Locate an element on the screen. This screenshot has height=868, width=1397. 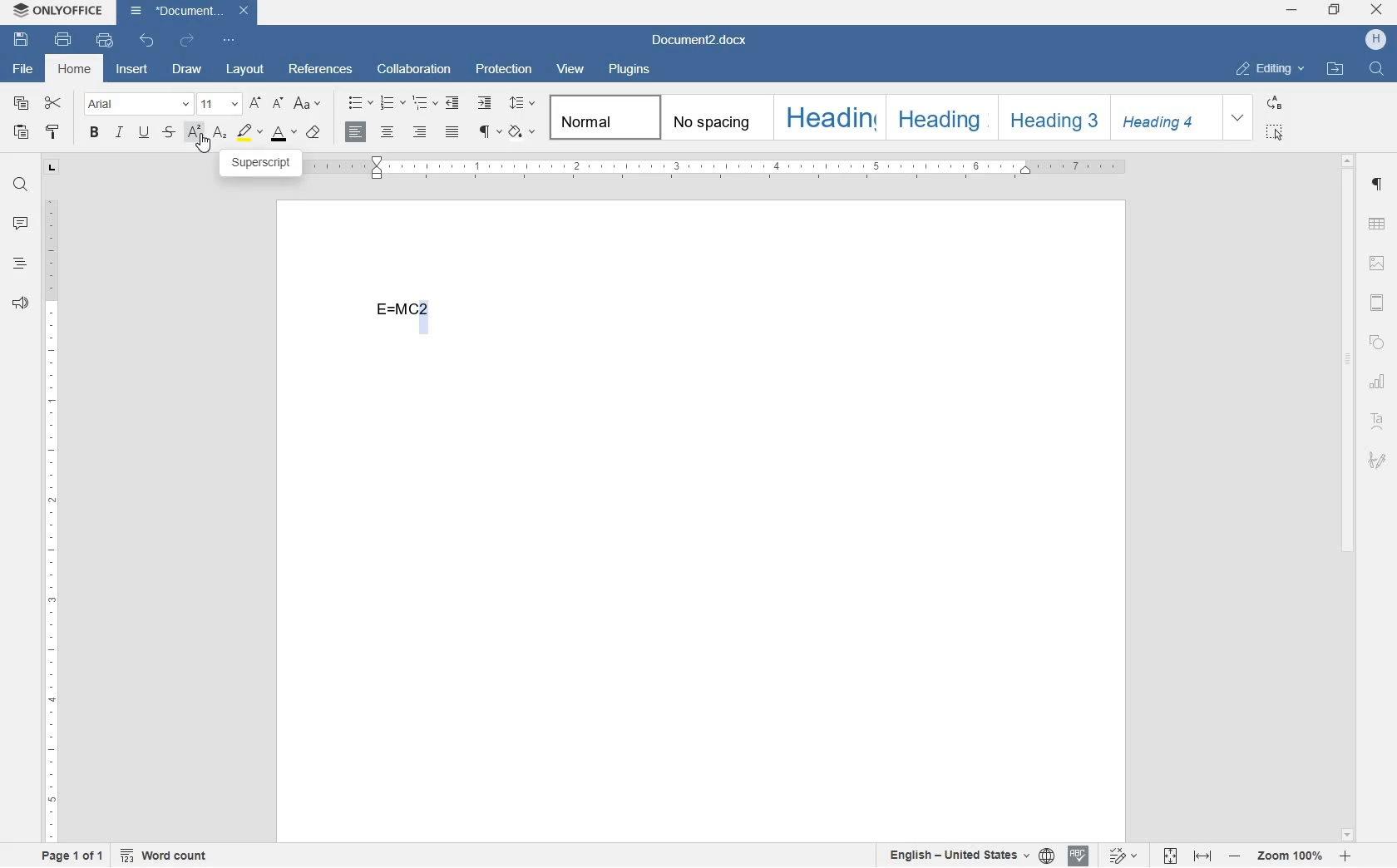
numbering is located at coordinates (393, 104).